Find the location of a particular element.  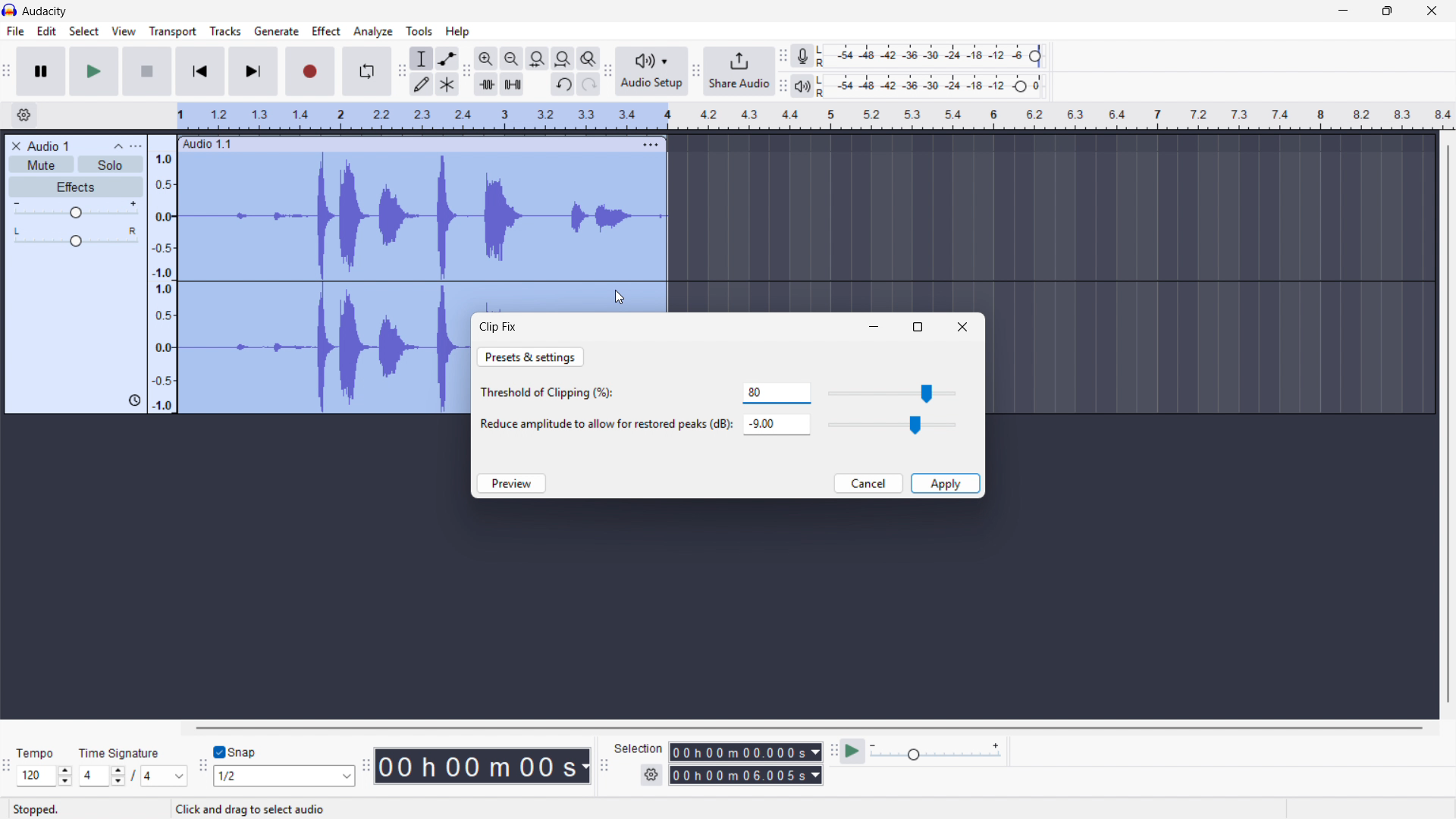

Silence audio selection is located at coordinates (513, 84).